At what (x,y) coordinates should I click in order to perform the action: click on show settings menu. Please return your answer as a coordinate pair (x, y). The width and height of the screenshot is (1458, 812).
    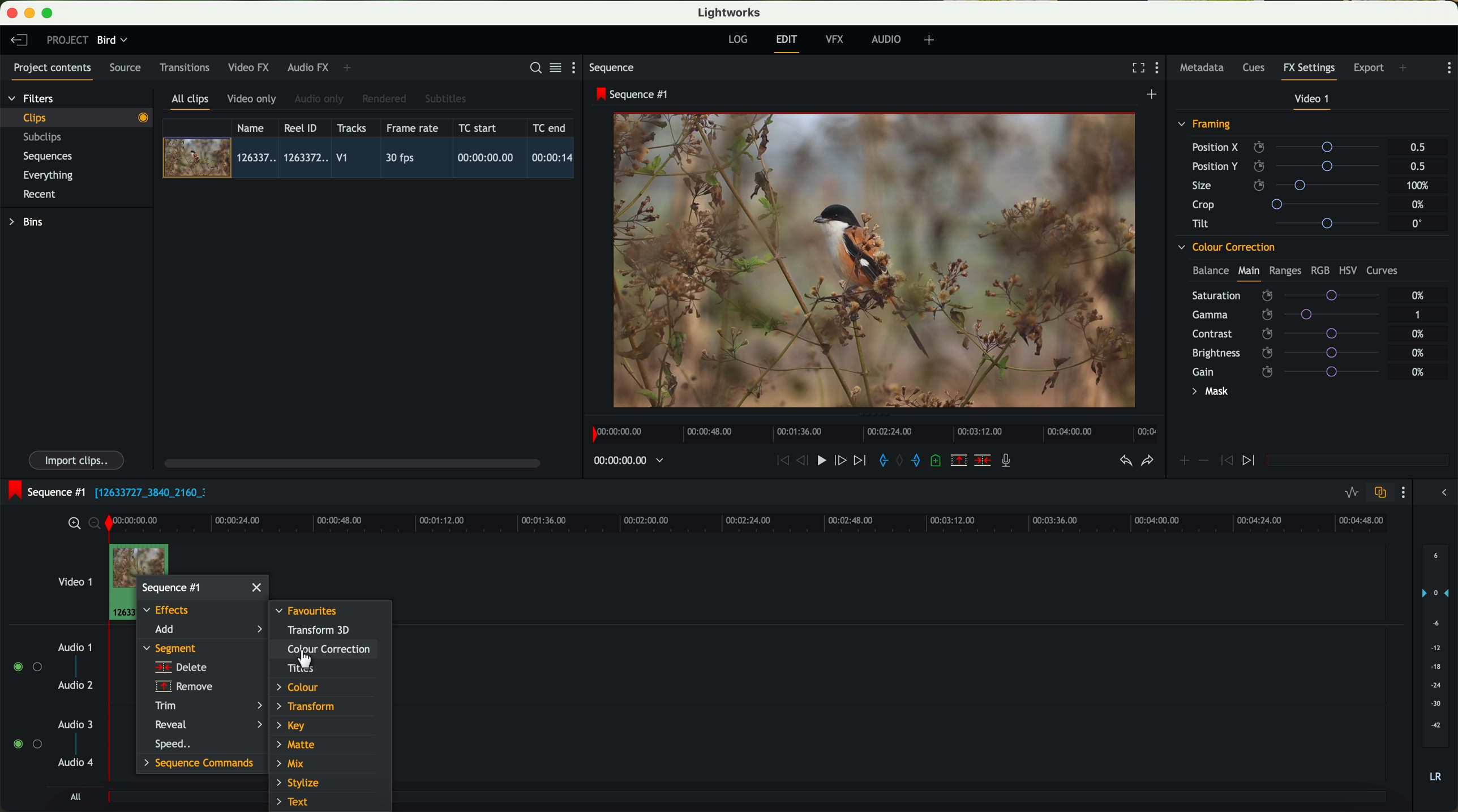
    Looking at the image, I should click on (1160, 69).